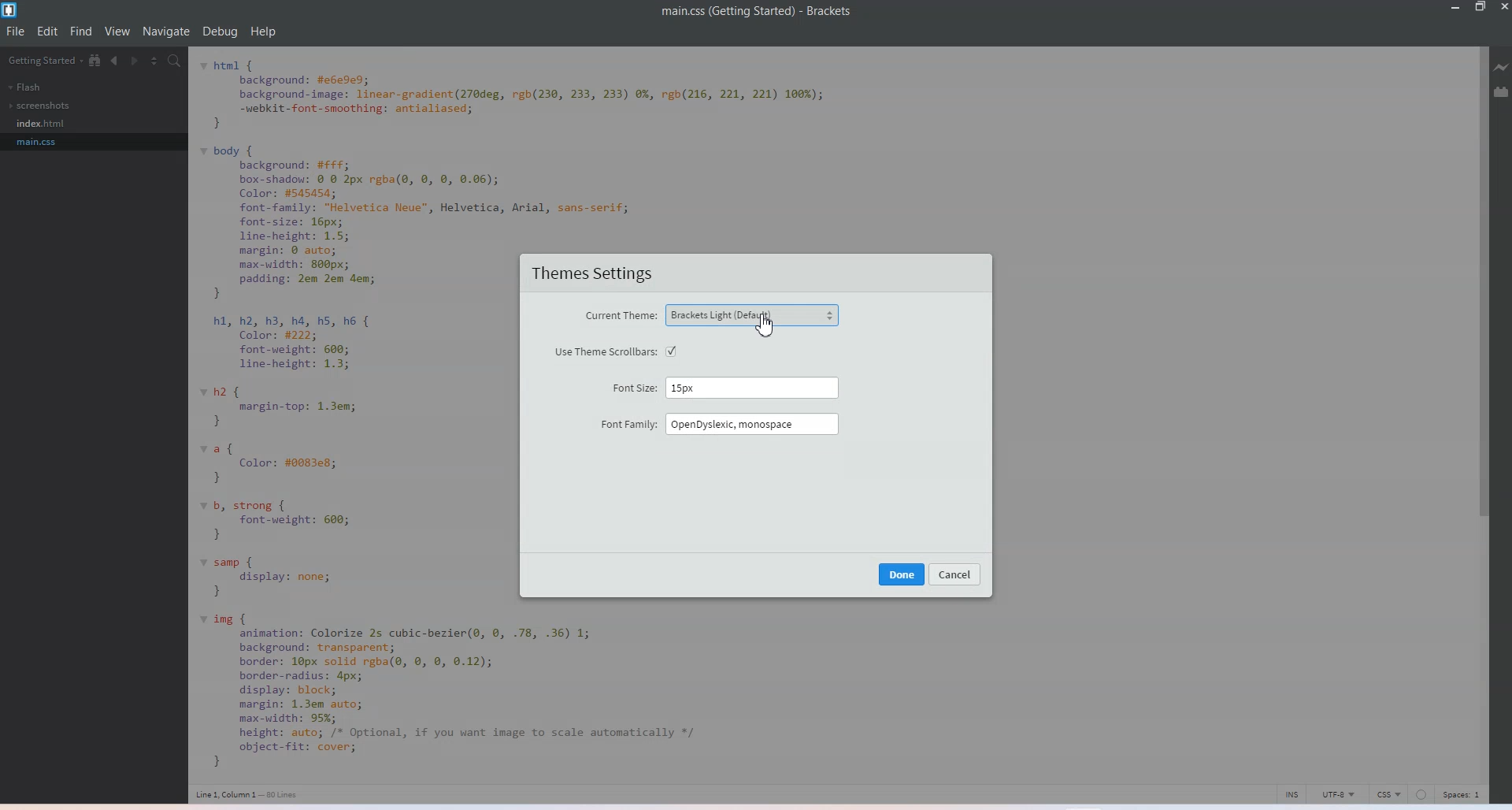  Describe the element at coordinates (263, 31) in the screenshot. I see `Help` at that location.